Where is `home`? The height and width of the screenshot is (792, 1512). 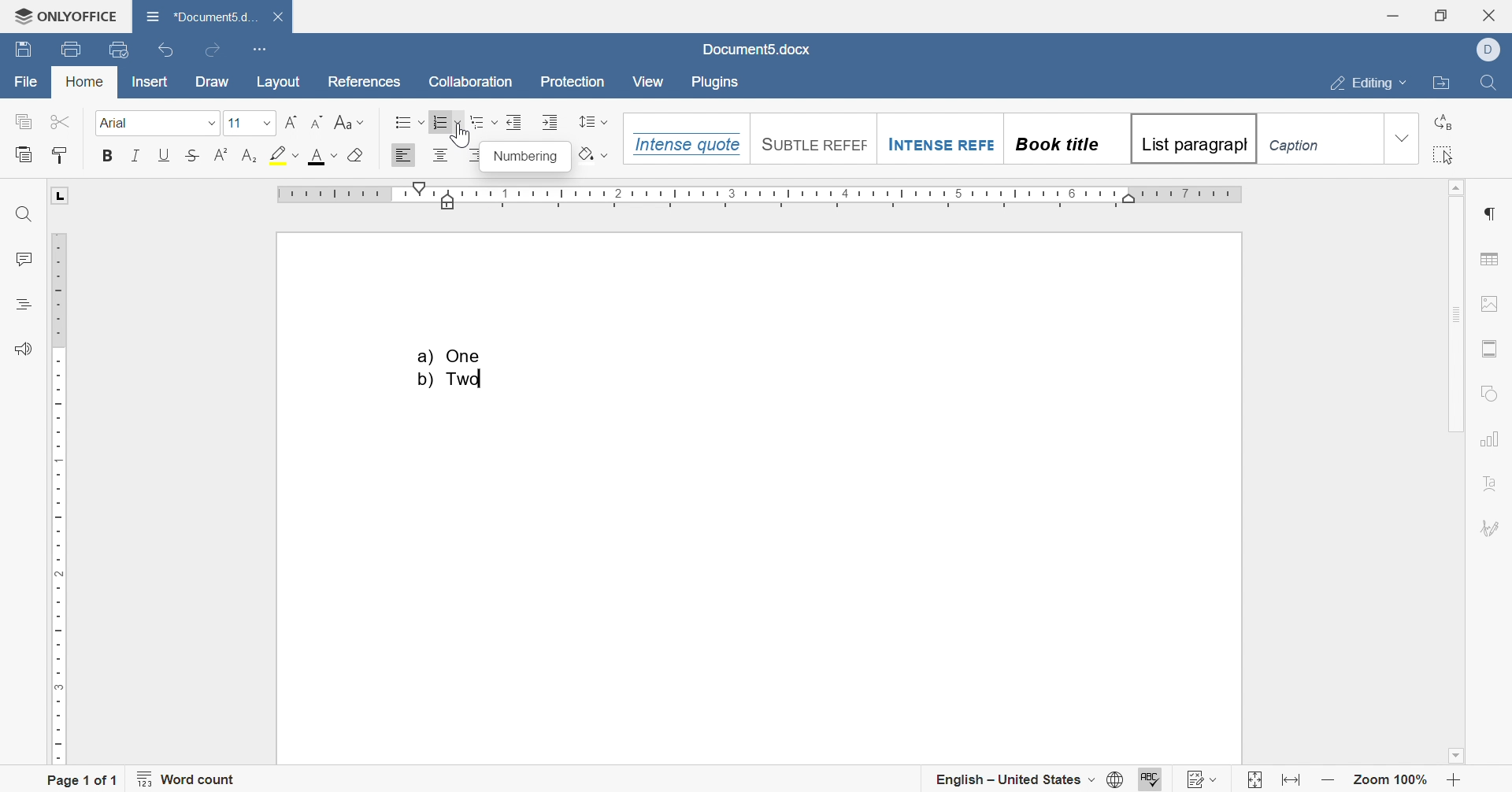
home is located at coordinates (86, 81).